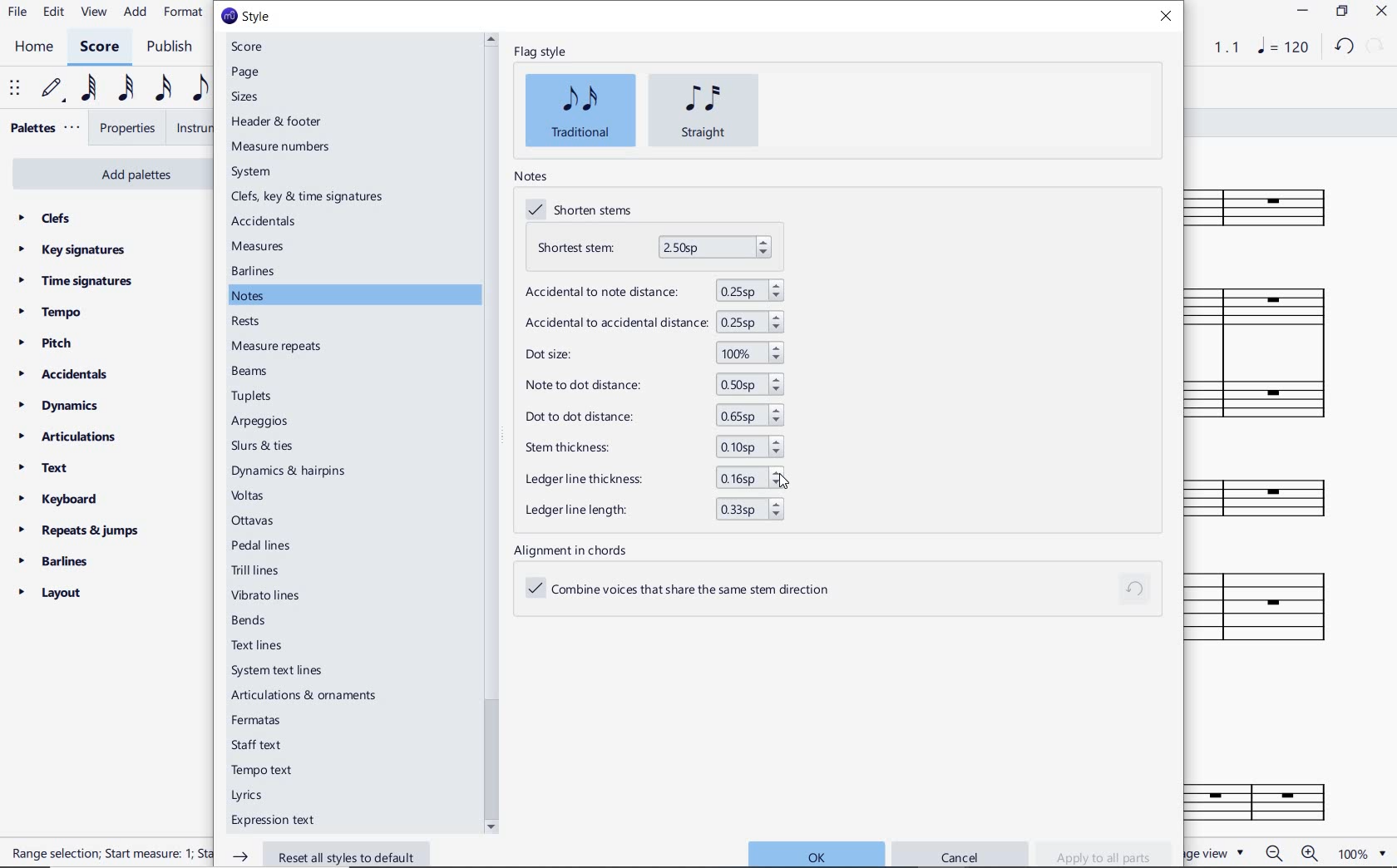  What do you see at coordinates (1302, 13) in the screenshot?
I see `MINIMIZE` at bounding box center [1302, 13].